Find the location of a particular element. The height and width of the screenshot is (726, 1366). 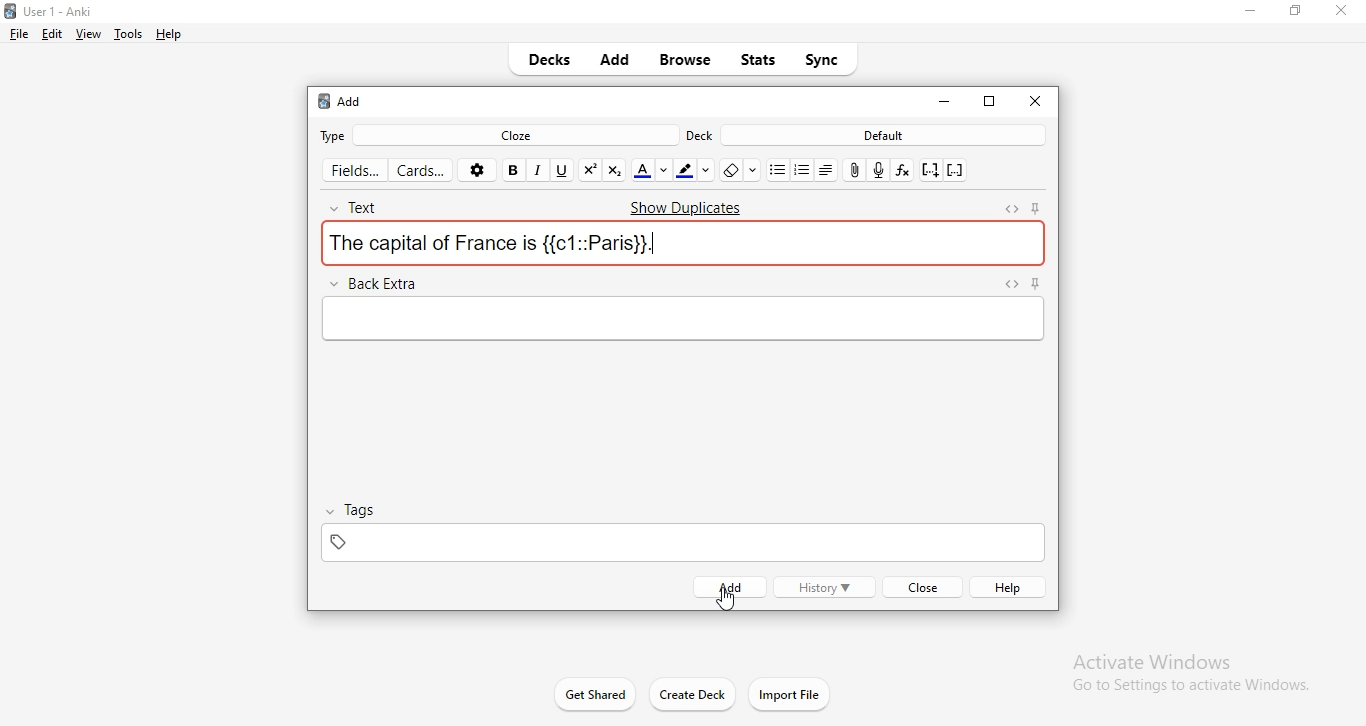

help is located at coordinates (170, 35).